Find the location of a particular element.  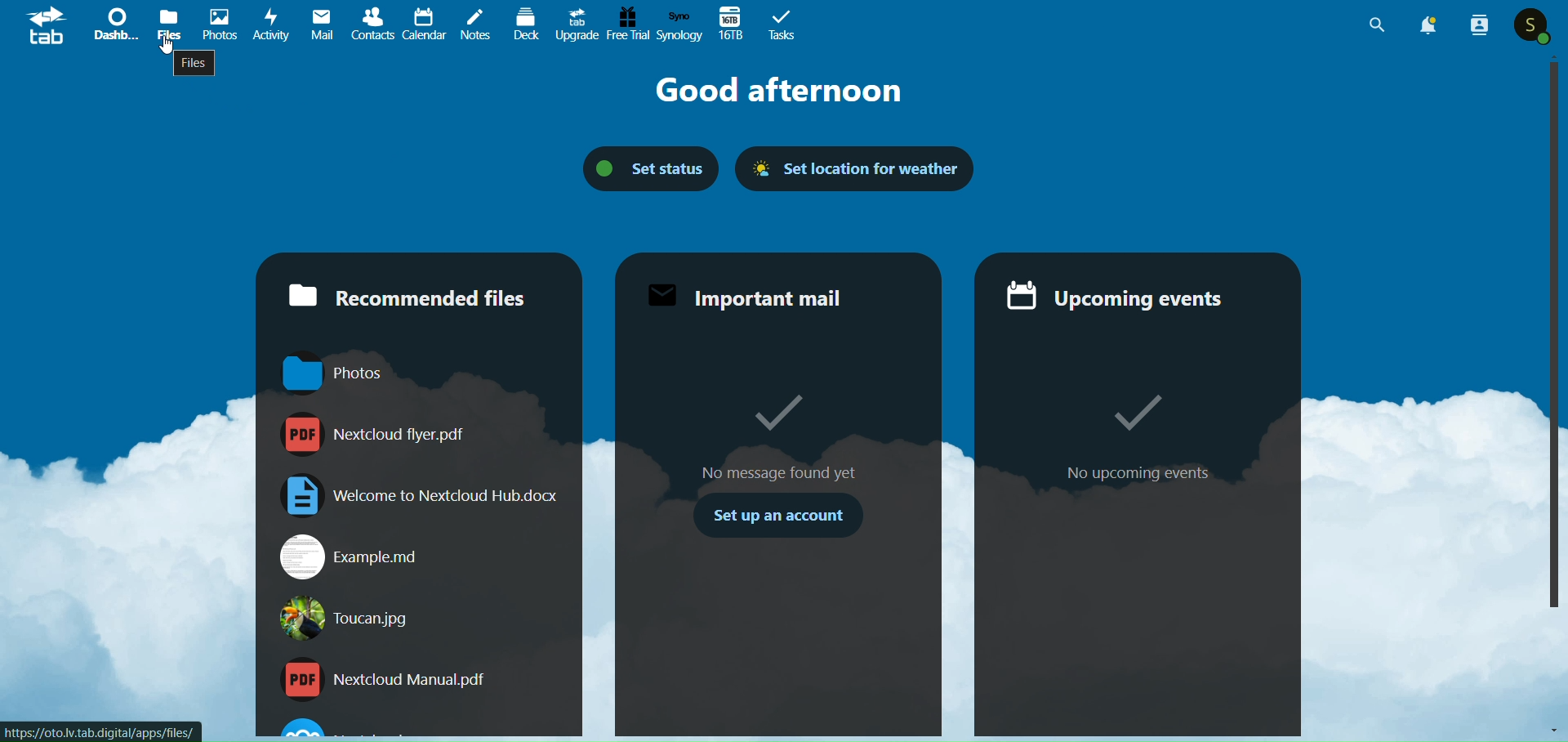

Tick mark is located at coordinates (1136, 413).